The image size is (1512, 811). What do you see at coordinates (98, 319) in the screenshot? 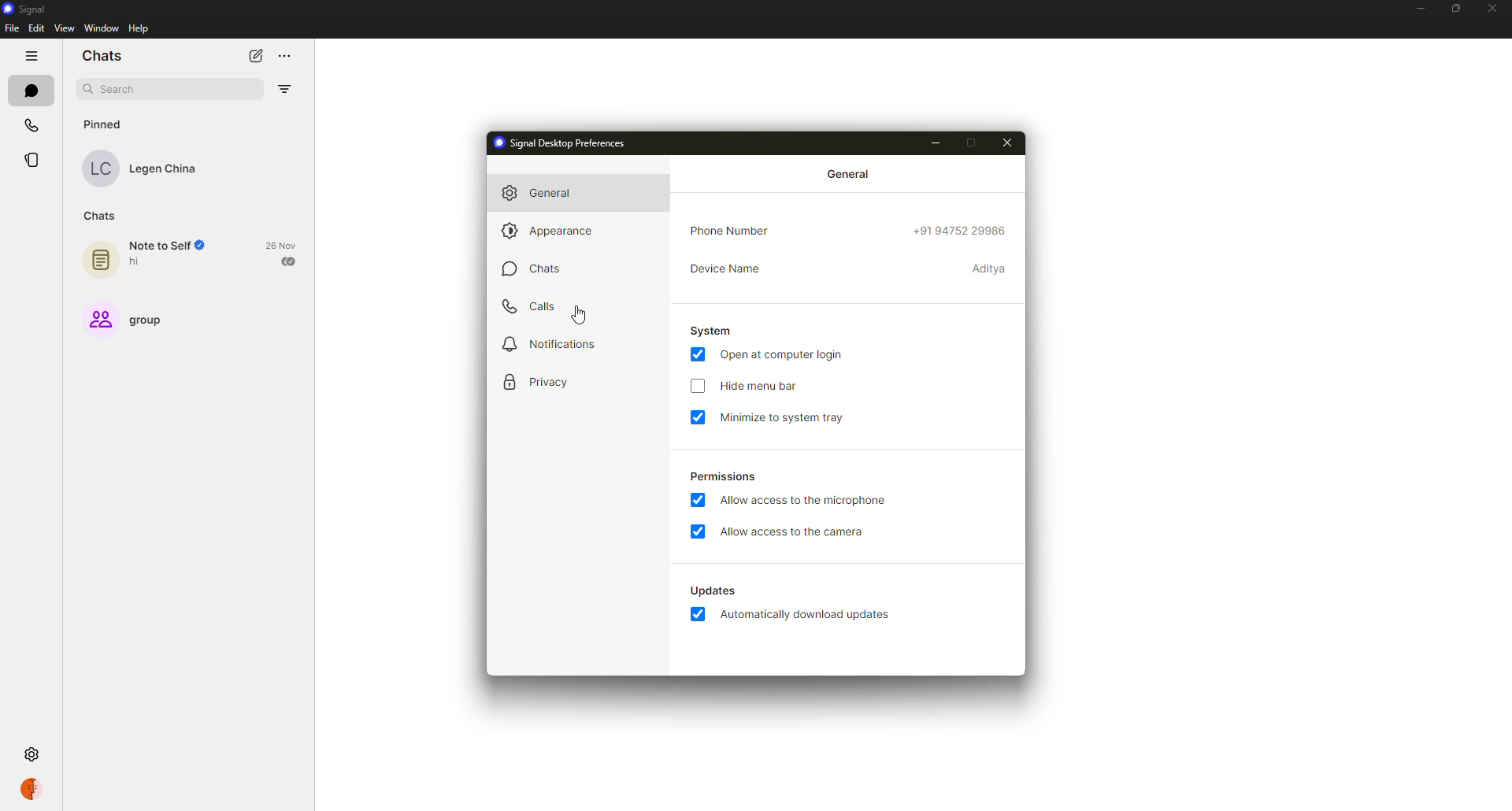
I see `group` at bounding box center [98, 319].